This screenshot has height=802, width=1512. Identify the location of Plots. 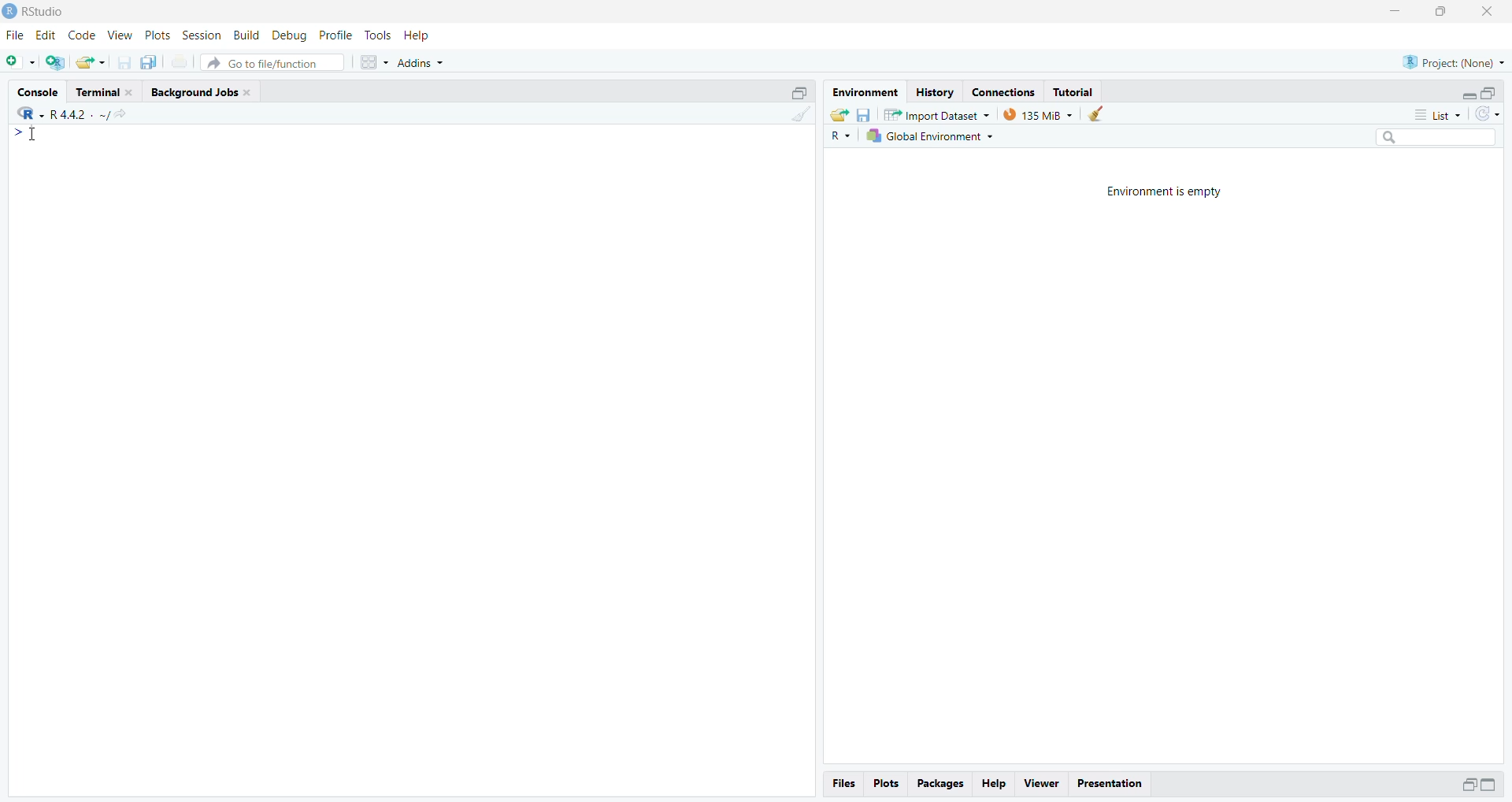
(157, 36).